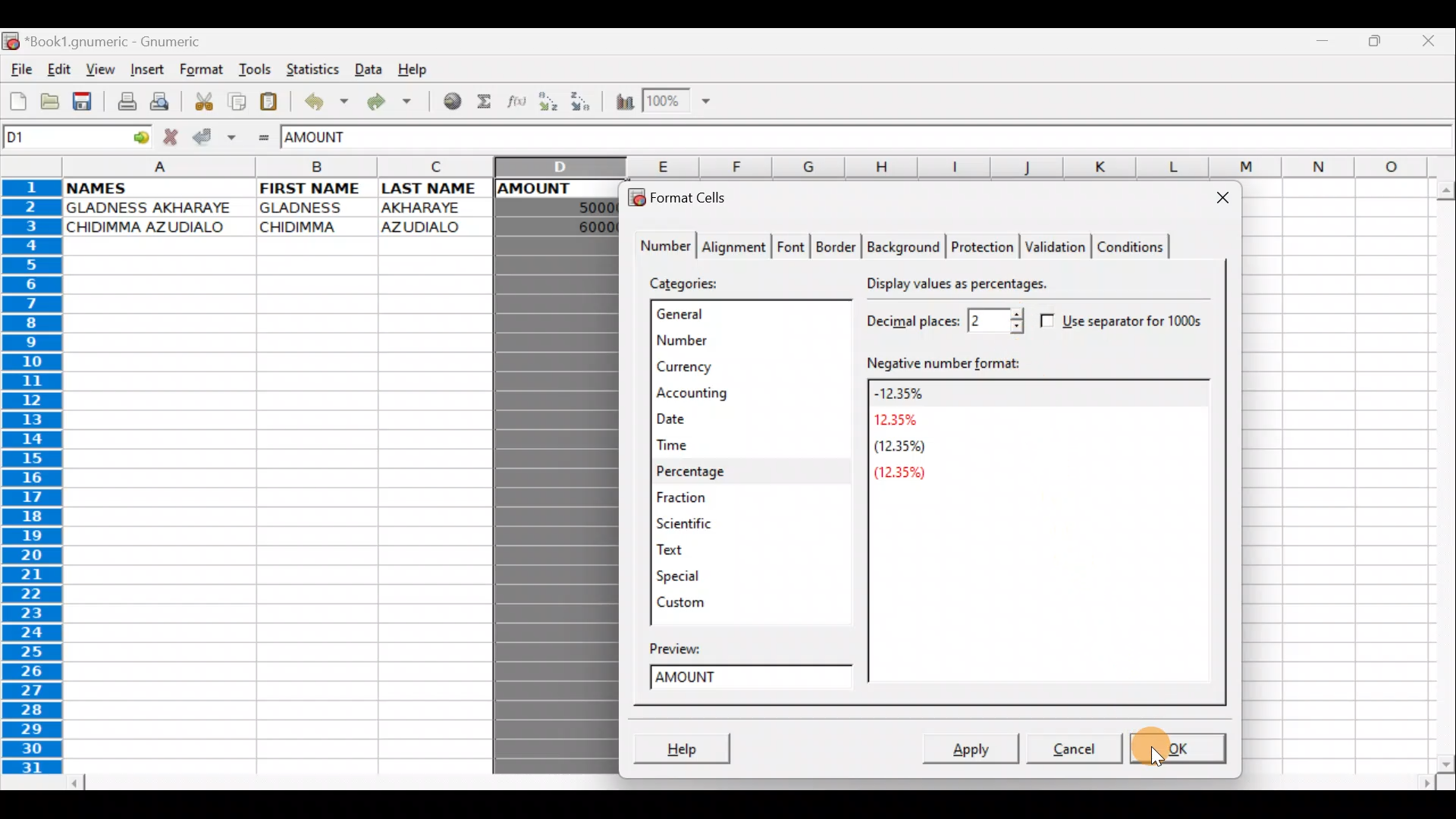 The width and height of the screenshot is (1456, 819). I want to click on Format, so click(201, 72).